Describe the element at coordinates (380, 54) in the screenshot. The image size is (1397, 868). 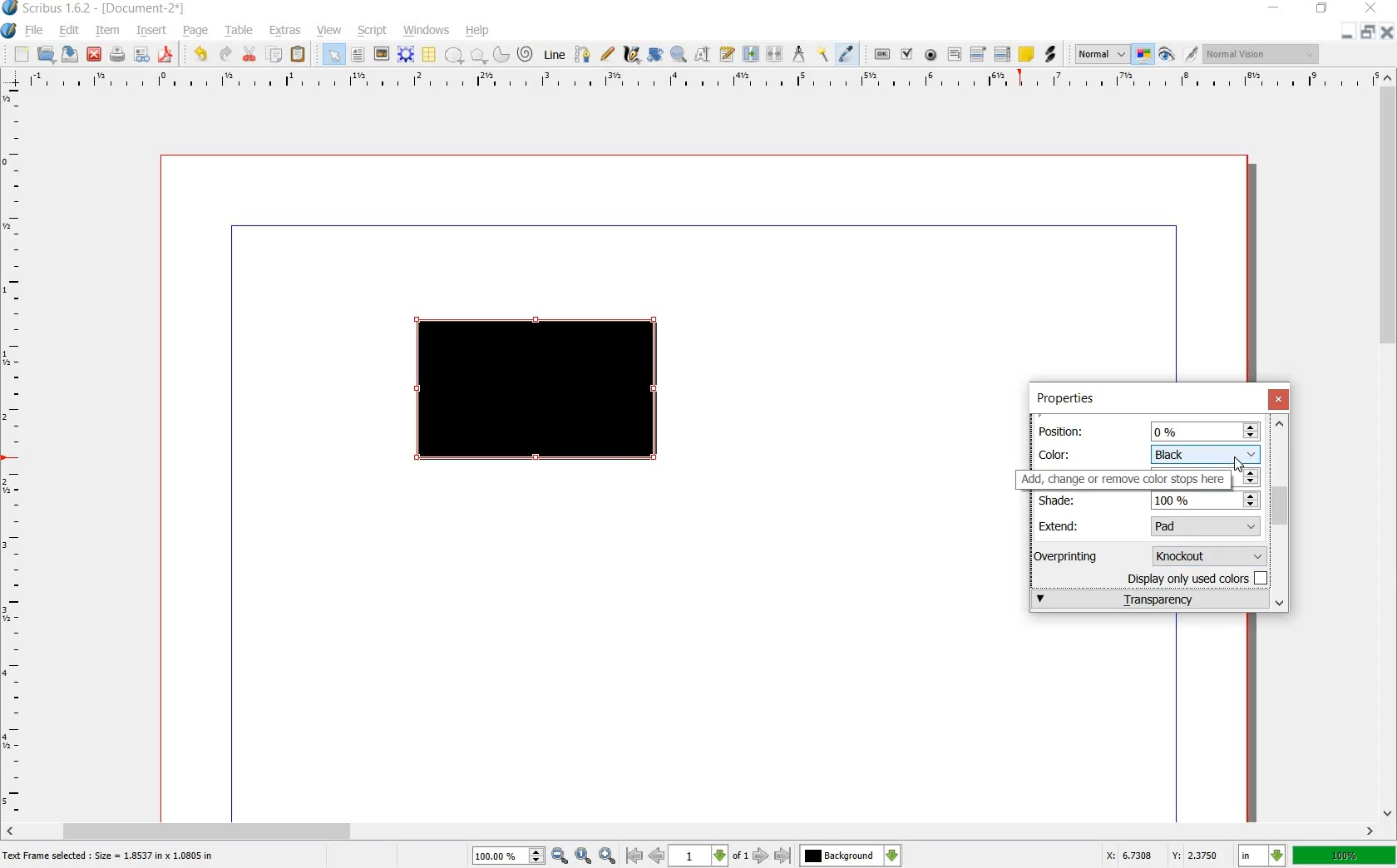
I see `image frame` at that location.